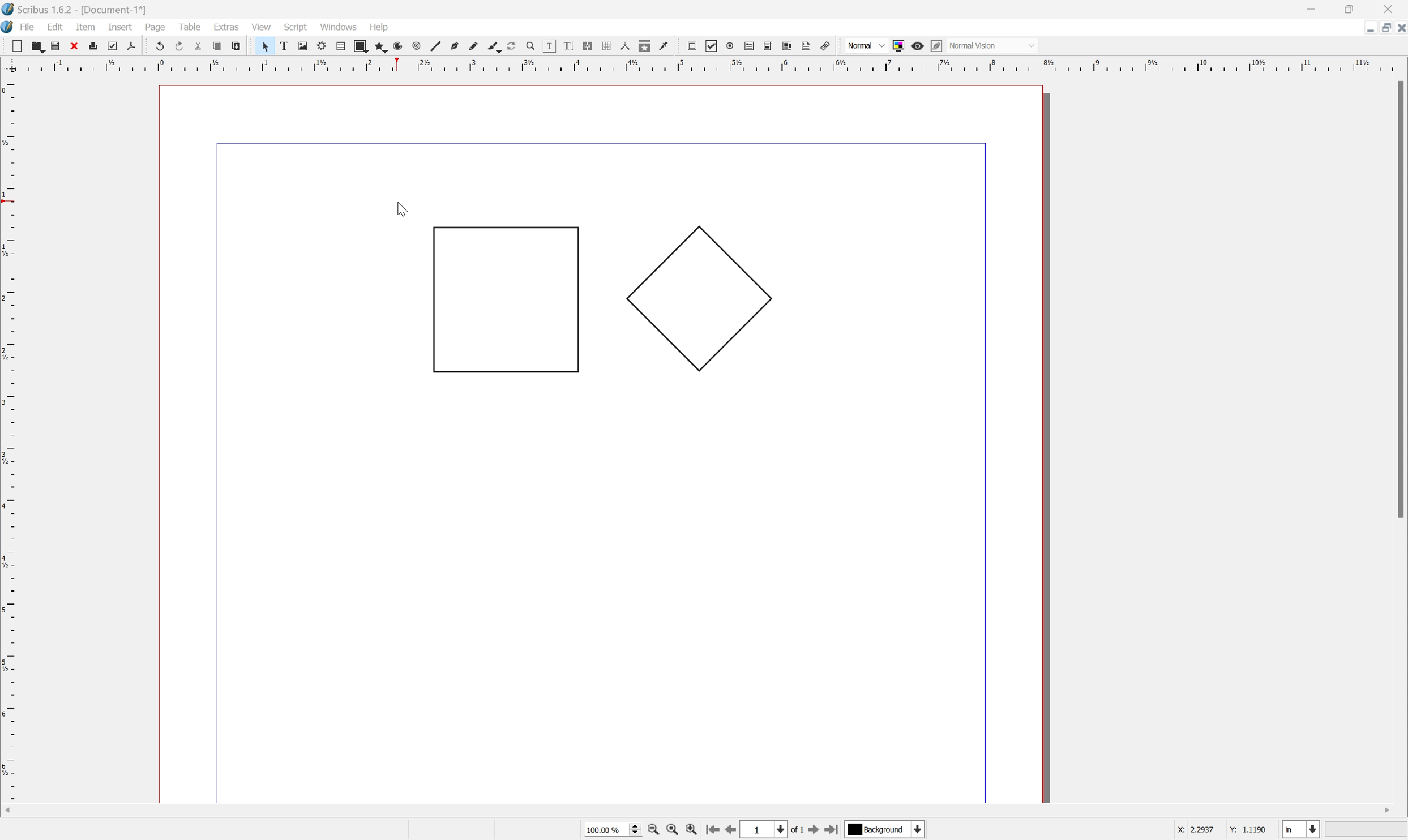 The width and height of the screenshot is (1408, 840). Describe the element at coordinates (510, 46) in the screenshot. I see `rotate item` at that location.